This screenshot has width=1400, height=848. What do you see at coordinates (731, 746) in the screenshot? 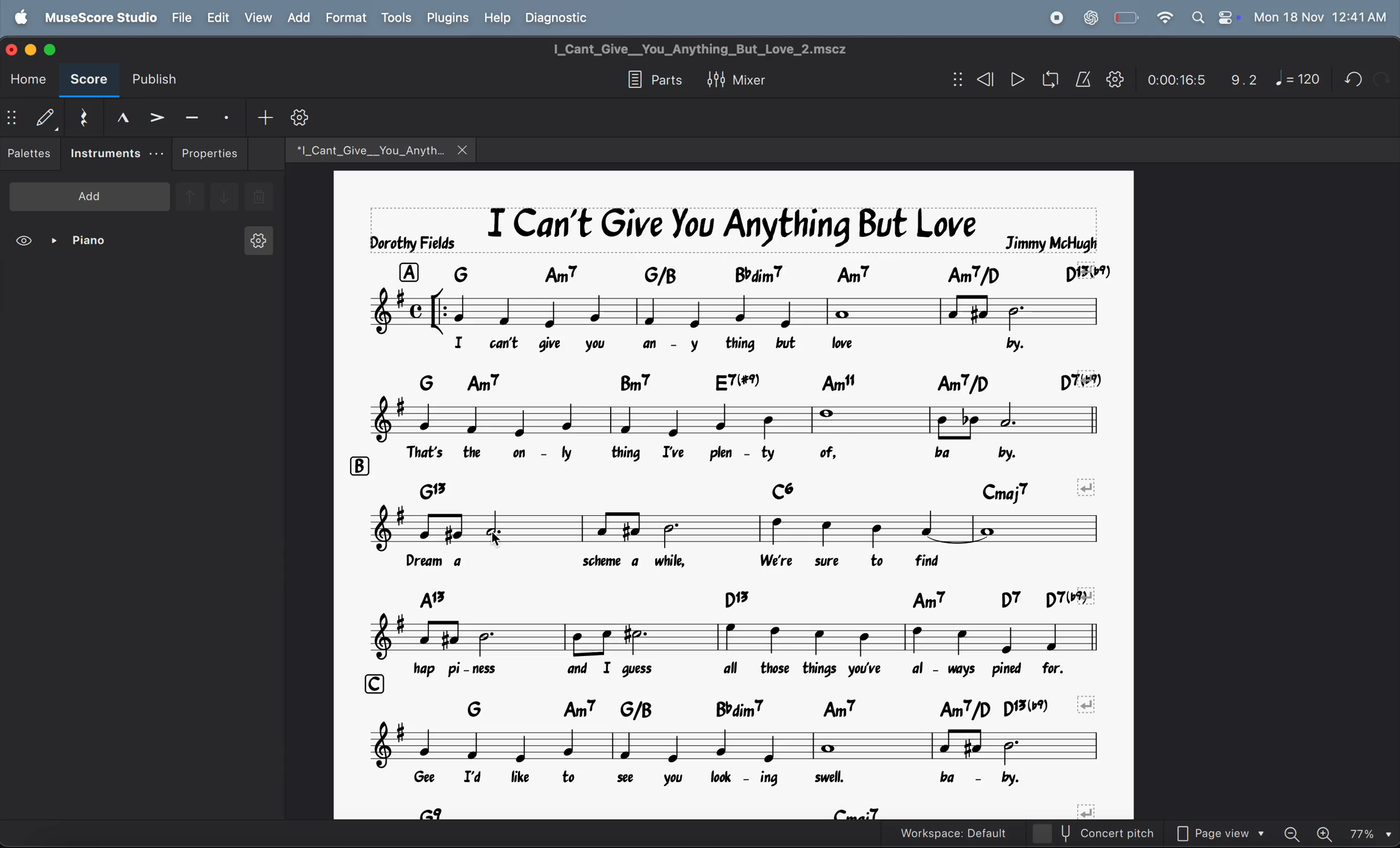
I see `notes` at bounding box center [731, 746].